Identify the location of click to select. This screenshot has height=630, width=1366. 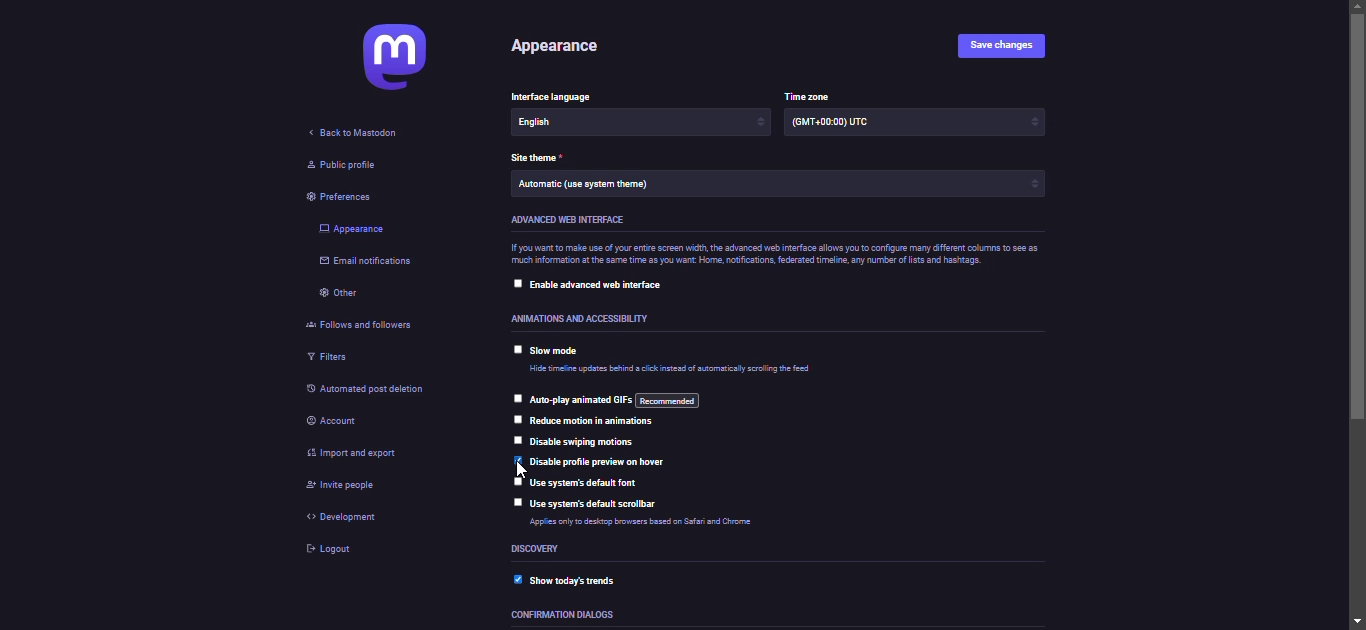
(516, 480).